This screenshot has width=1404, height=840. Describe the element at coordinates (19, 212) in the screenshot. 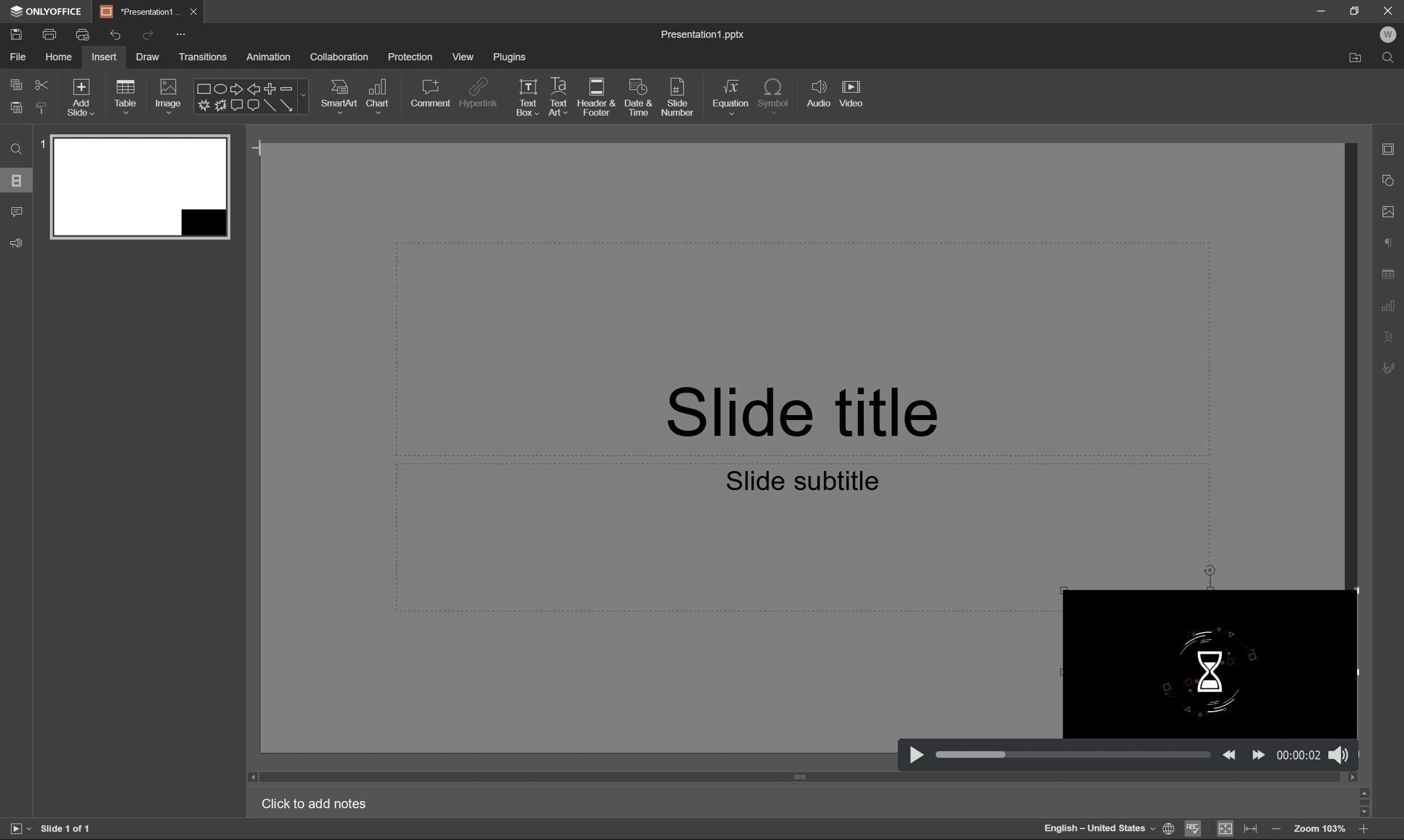

I see `comments` at that location.